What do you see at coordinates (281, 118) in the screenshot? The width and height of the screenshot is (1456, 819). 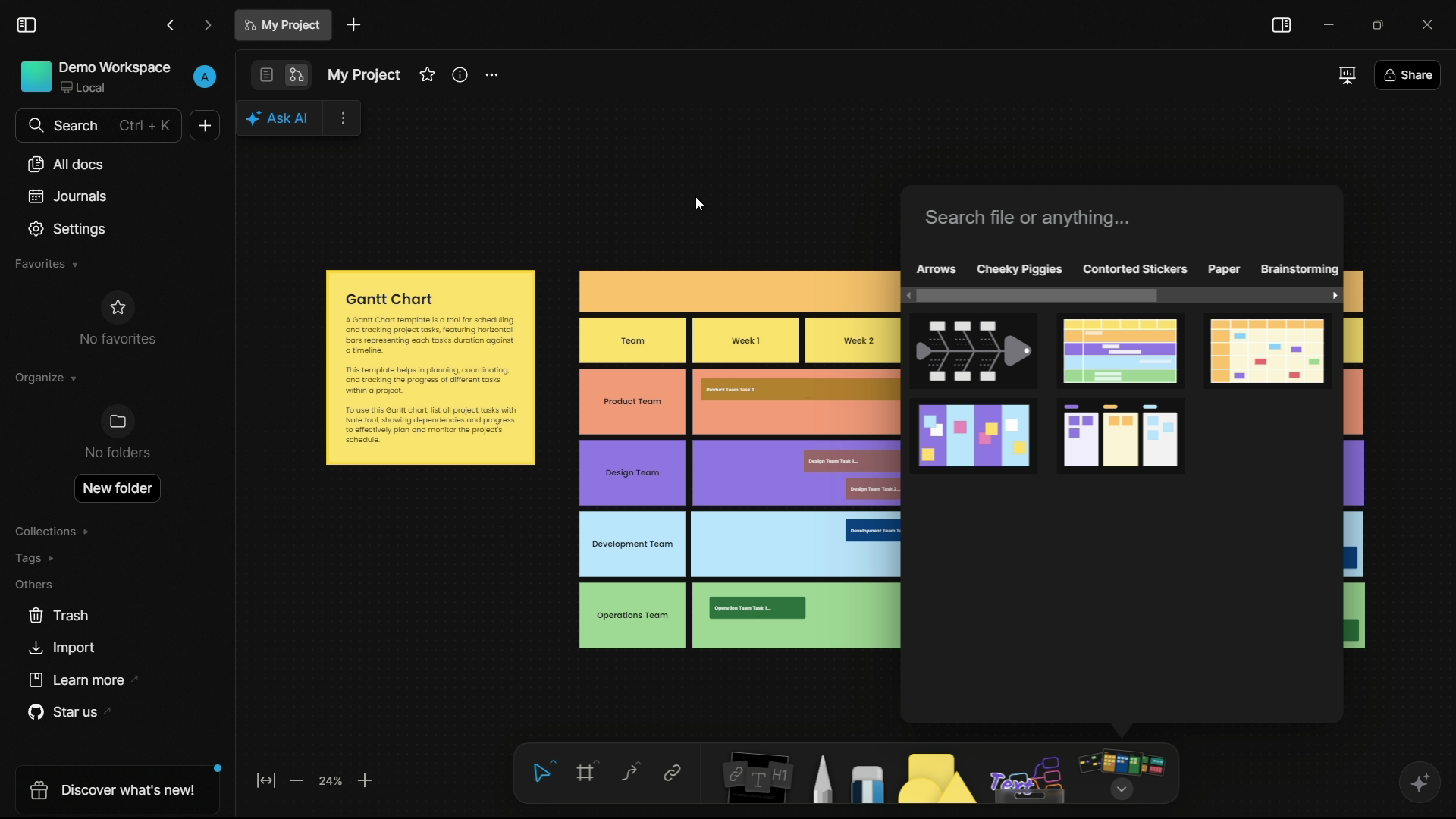 I see `Ask Al` at bounding box center [281, 118].